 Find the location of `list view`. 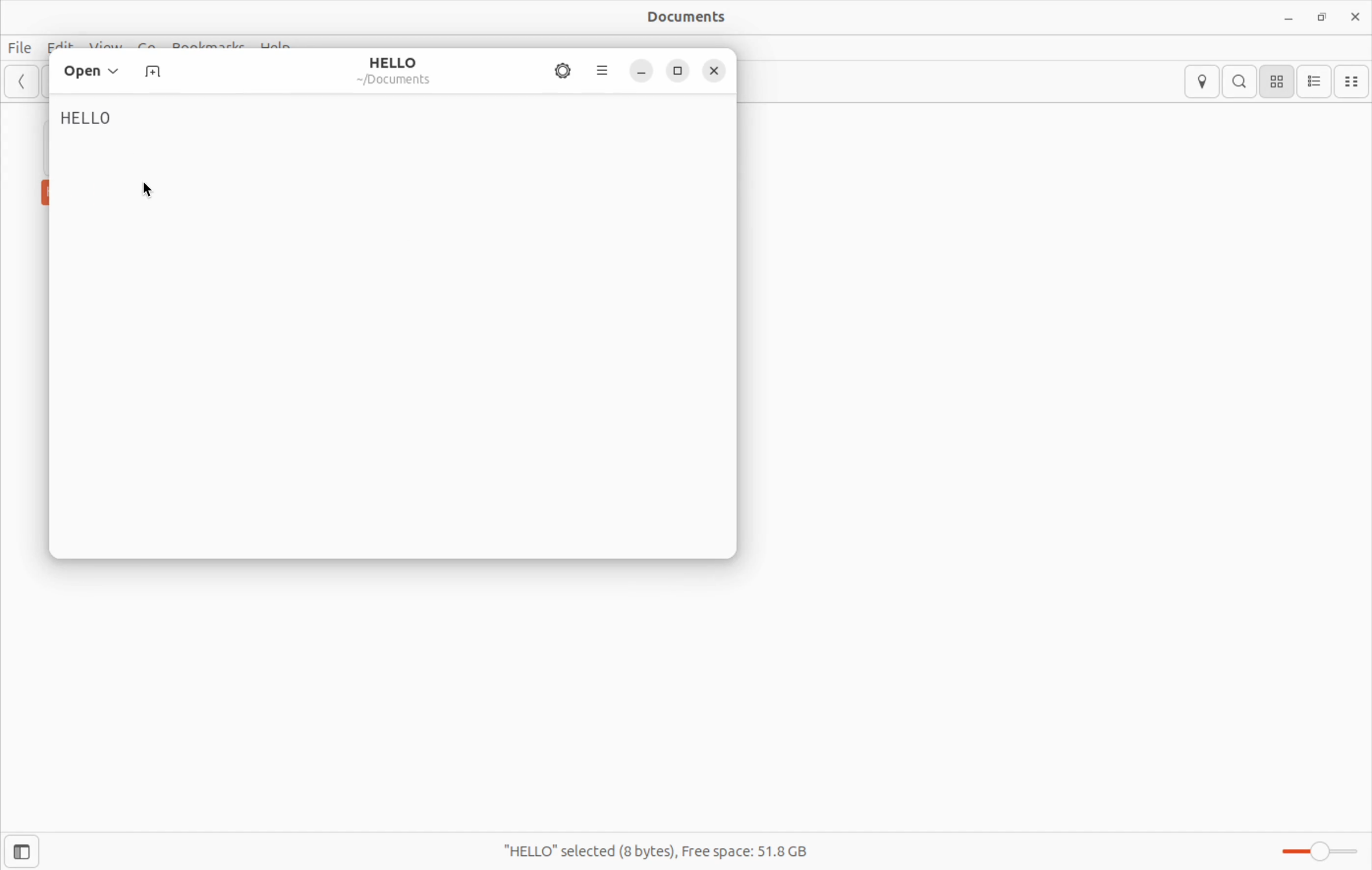

list view is located at coordinates (1317, 81).